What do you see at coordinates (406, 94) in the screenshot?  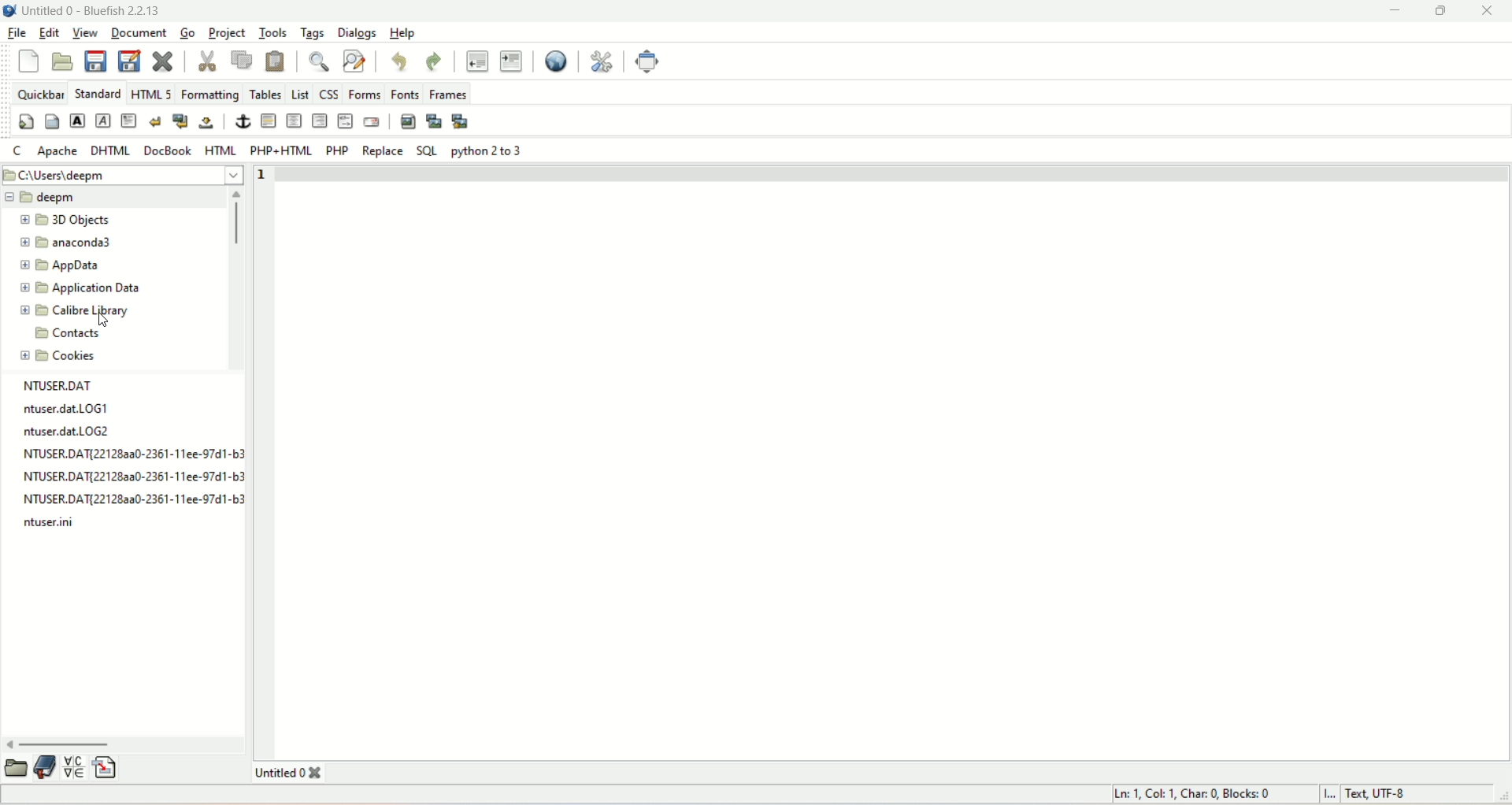 I see `fonts` at bounding box center [406, 94].